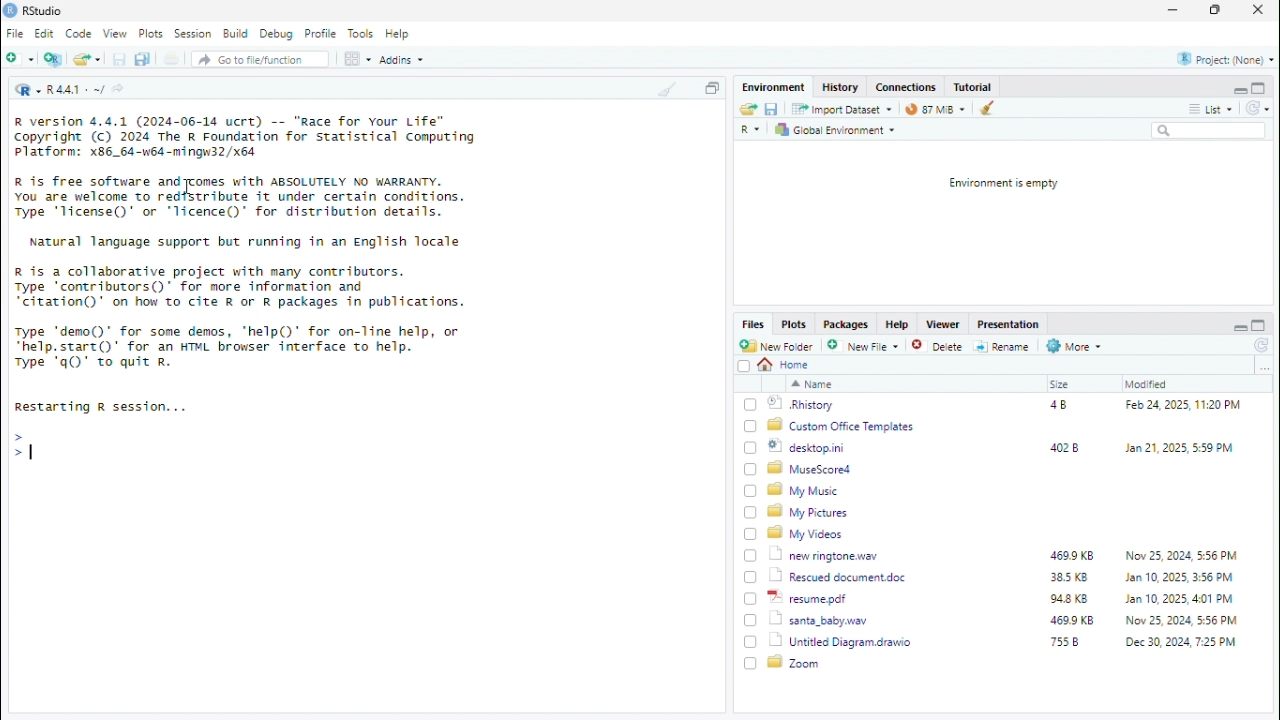 The height and width of the screenshot is (720, 1280). I want to click on Cursor , so click(188, 187).